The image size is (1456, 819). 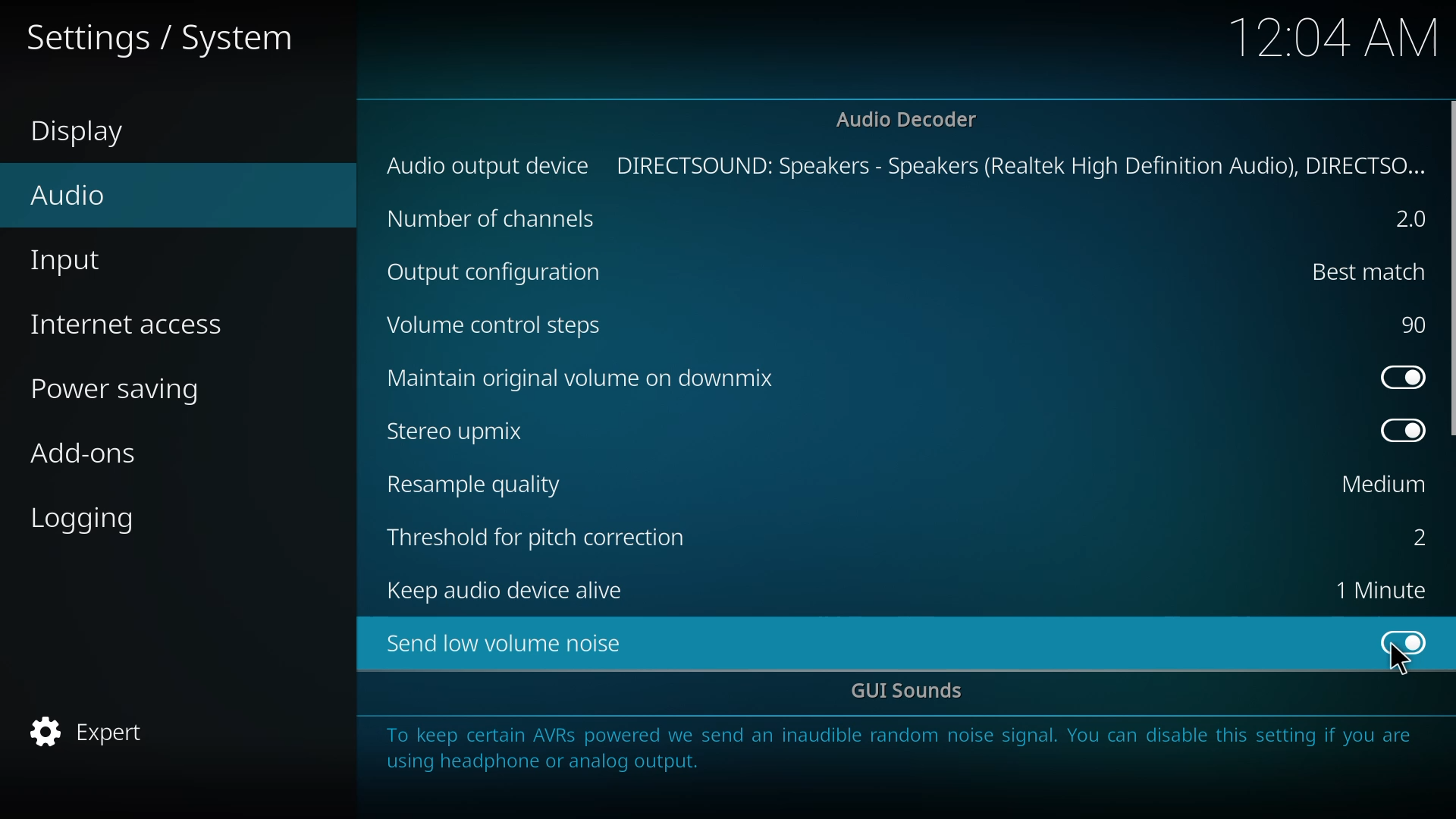 I want to click on threshold, so click(x=541, y=536).